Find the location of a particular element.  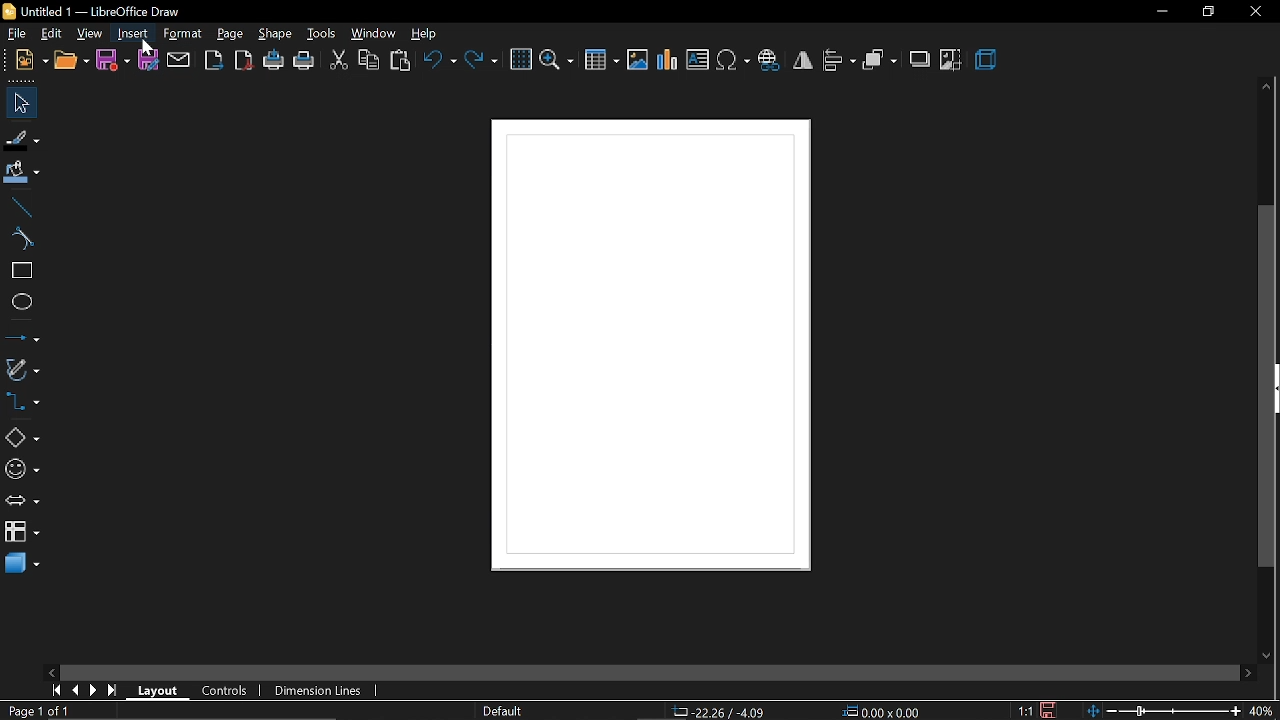

move down is located at coordinates (1266, 656).